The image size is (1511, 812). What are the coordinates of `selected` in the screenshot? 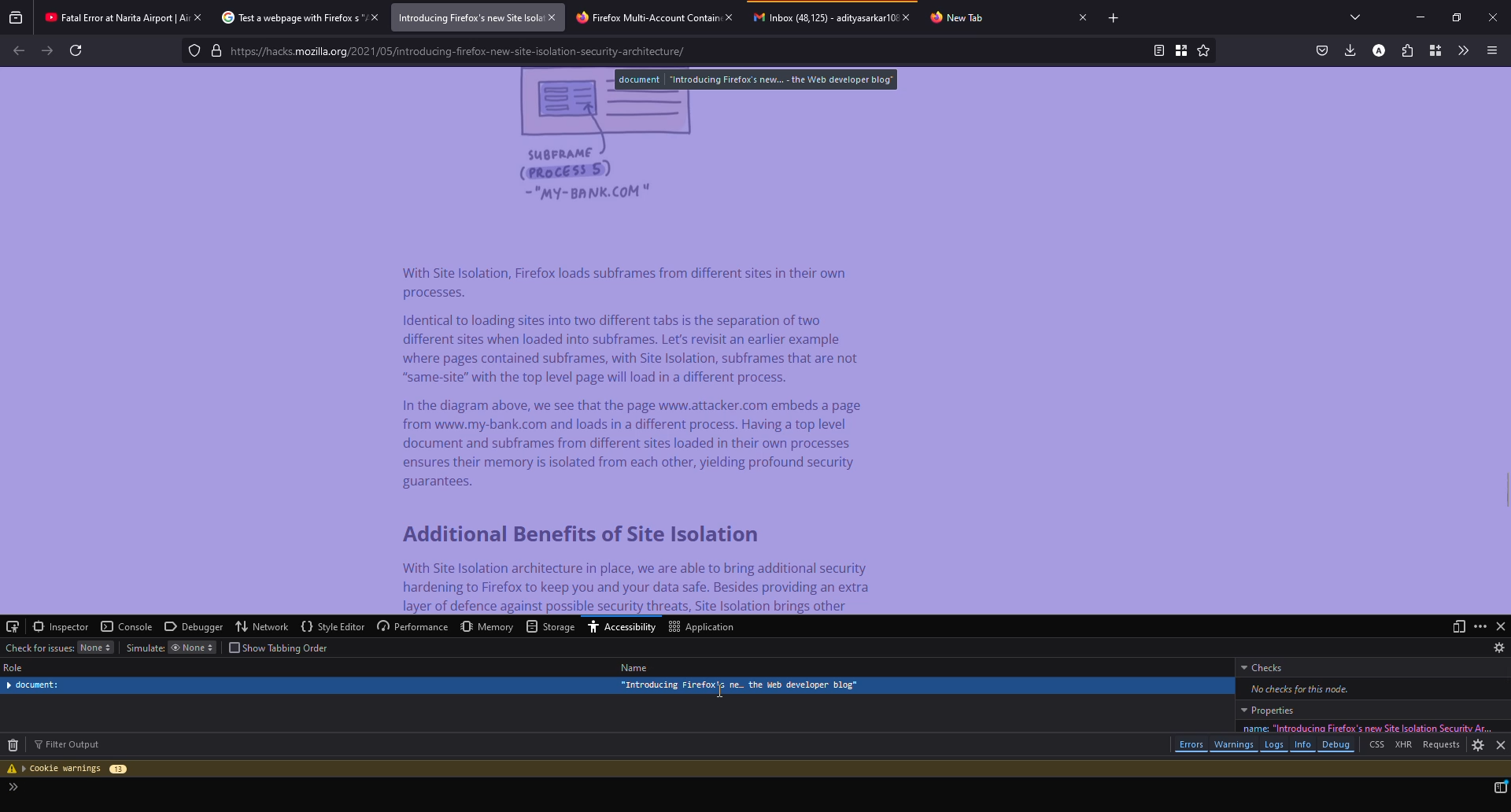 It's located at (620, 685).